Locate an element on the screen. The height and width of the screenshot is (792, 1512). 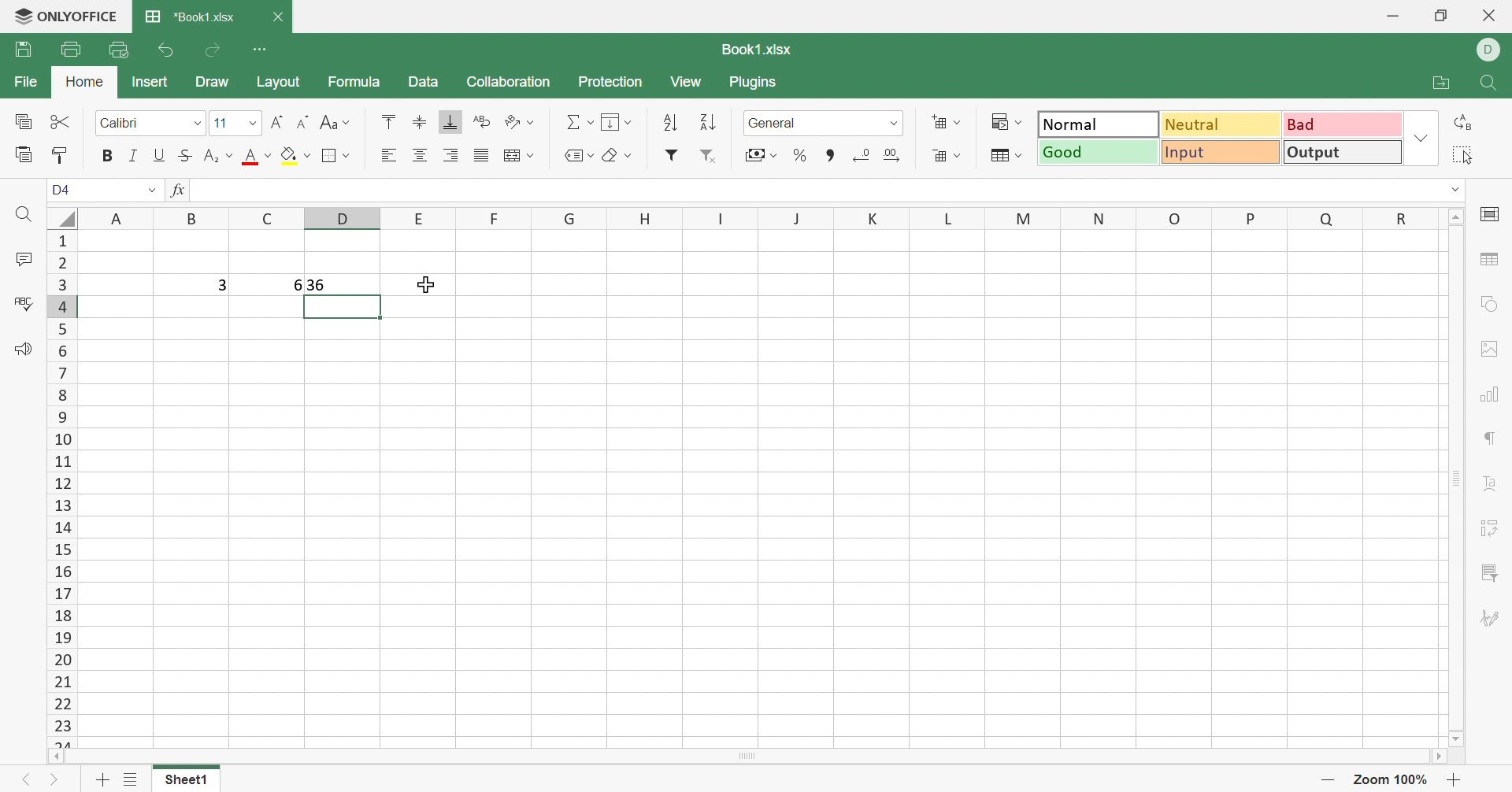
Format as table template is located at coordinates (1004, 154).